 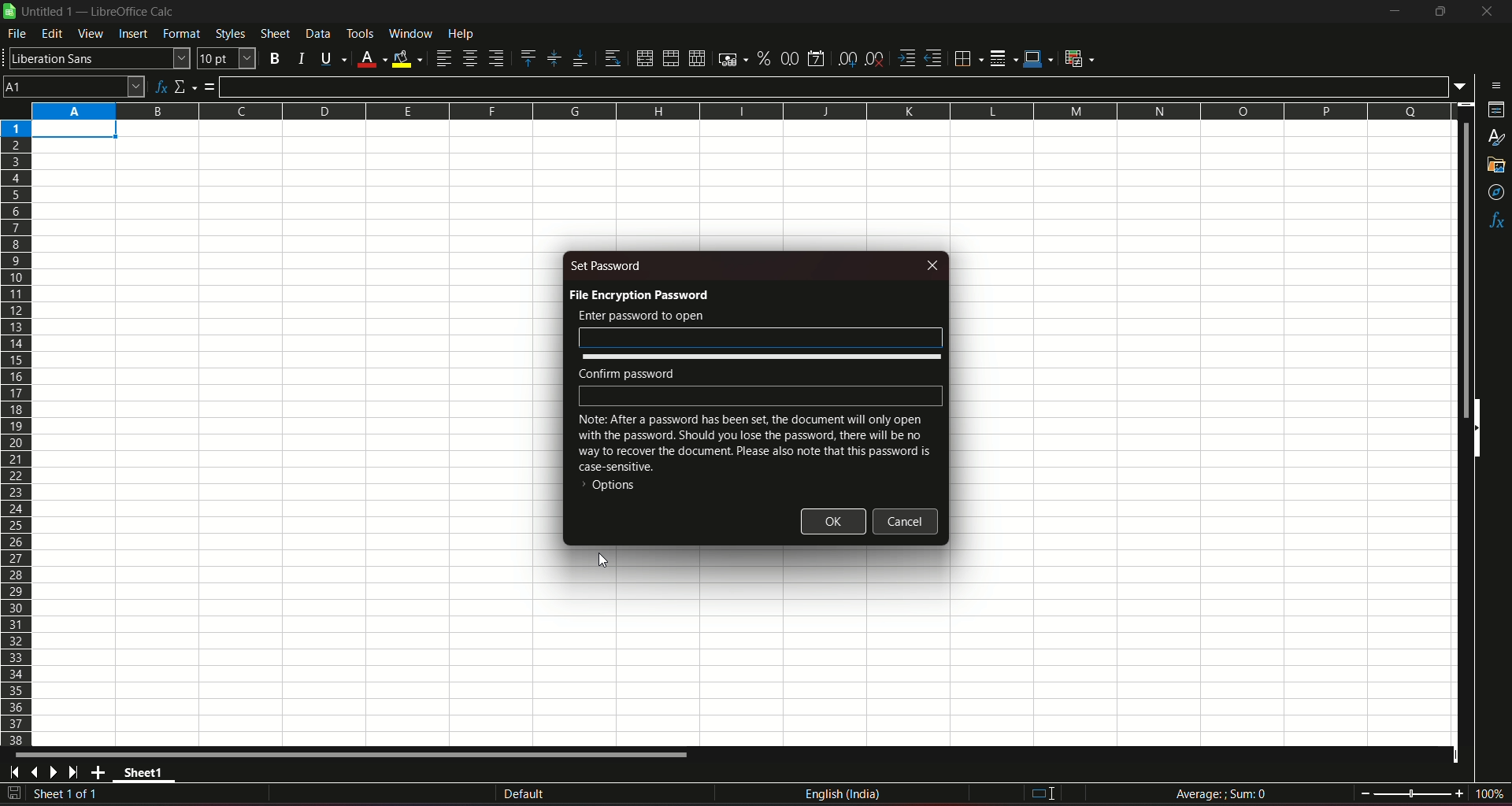 I want to click on vertical scroll bar, so click(x=1464, y=270).